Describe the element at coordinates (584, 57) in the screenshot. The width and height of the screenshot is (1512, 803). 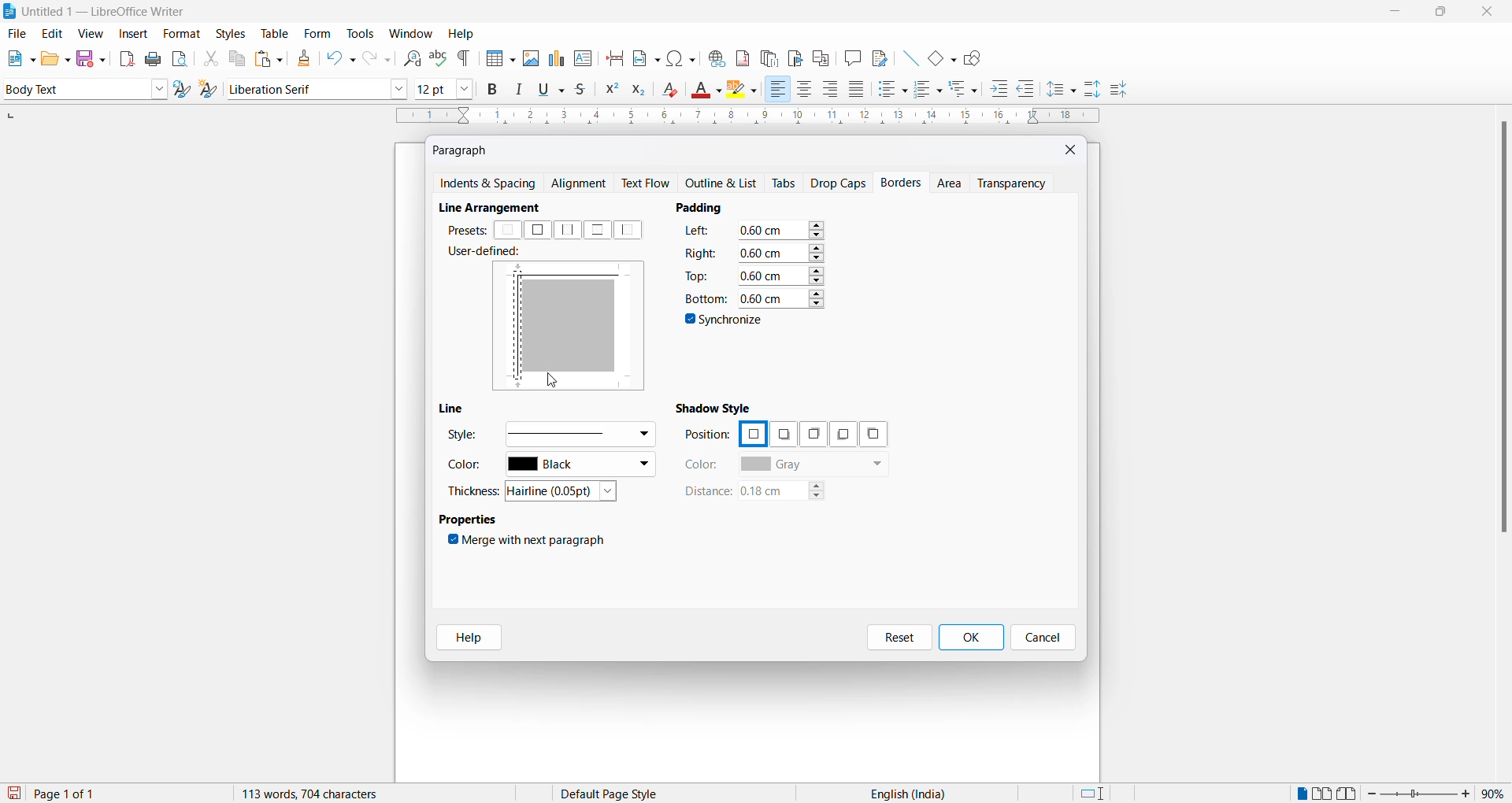
I see `insert text` at that location.